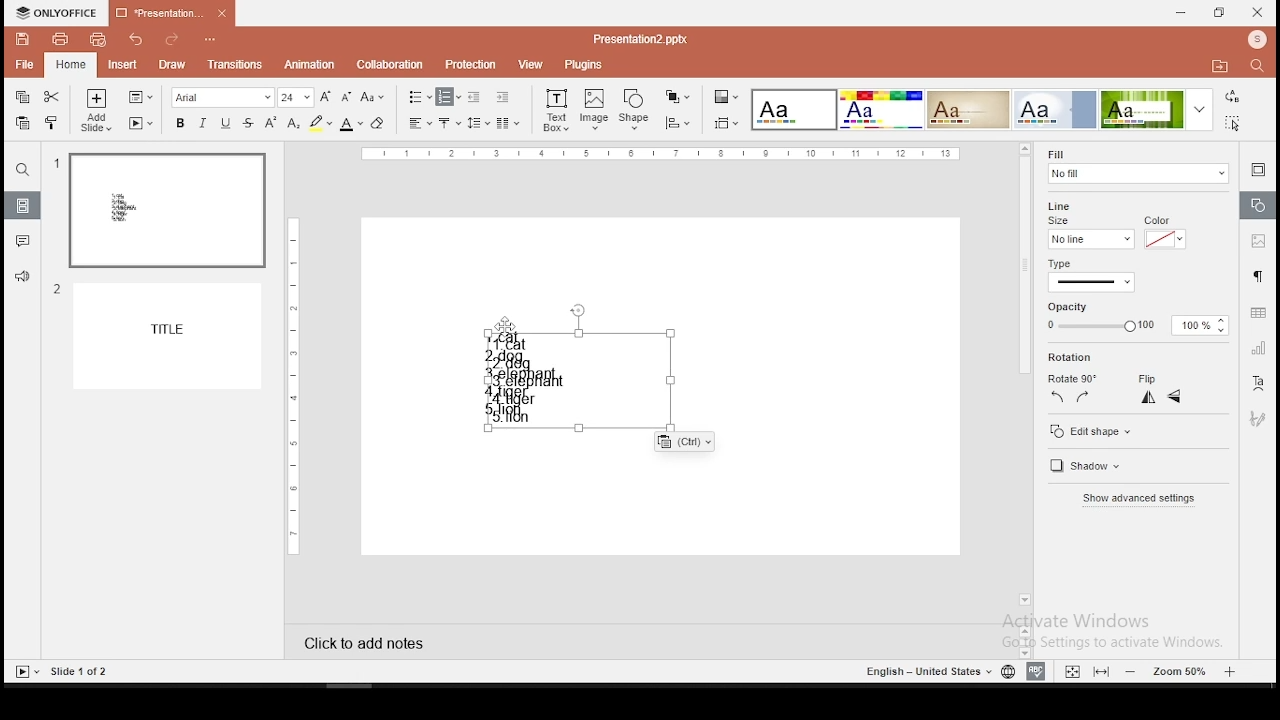 This screenshot has height=720, width=1280. I want to click on superscript, so click(271, 123).